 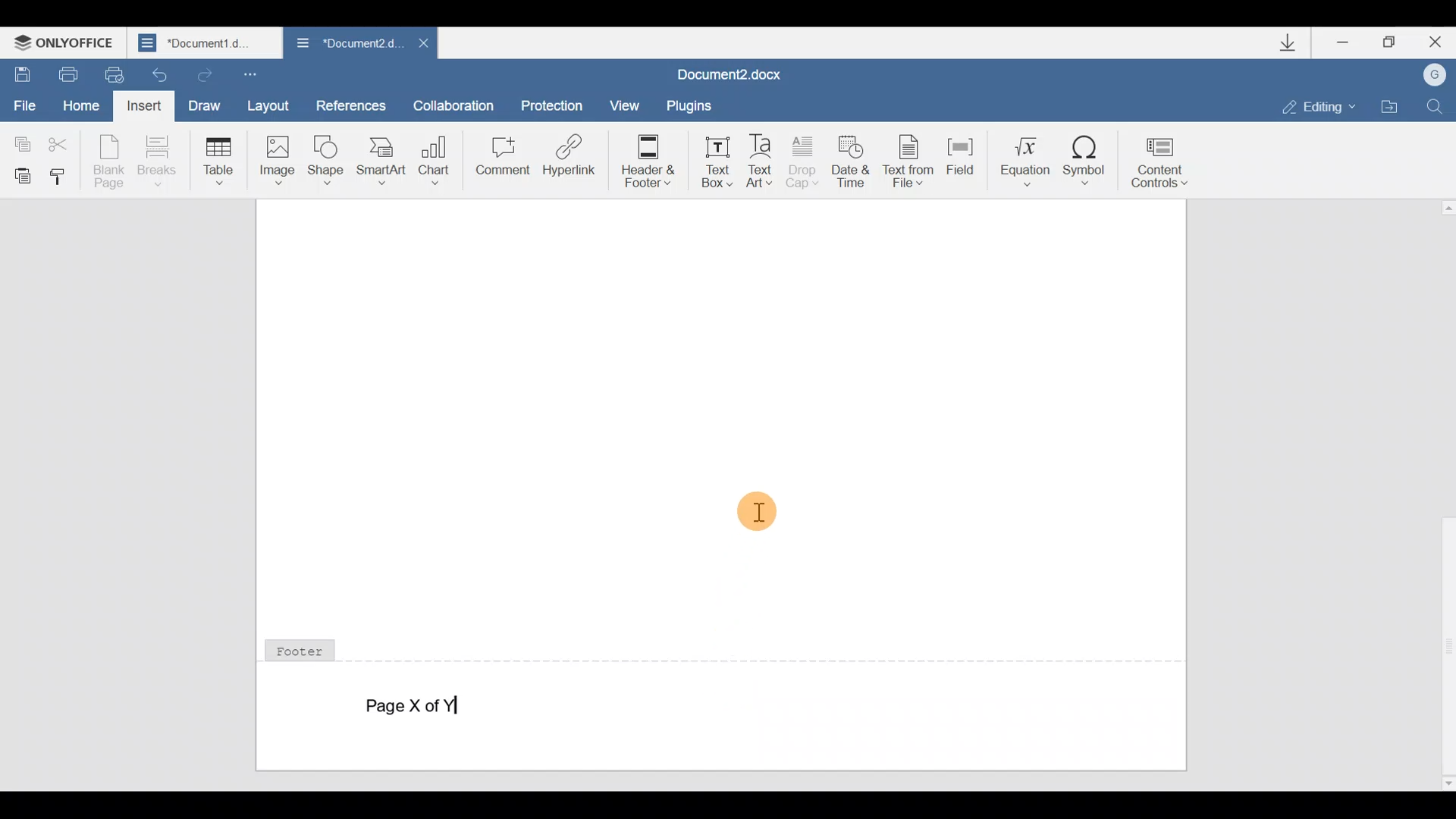 I want to click on Field, so click(x=956, y=162).